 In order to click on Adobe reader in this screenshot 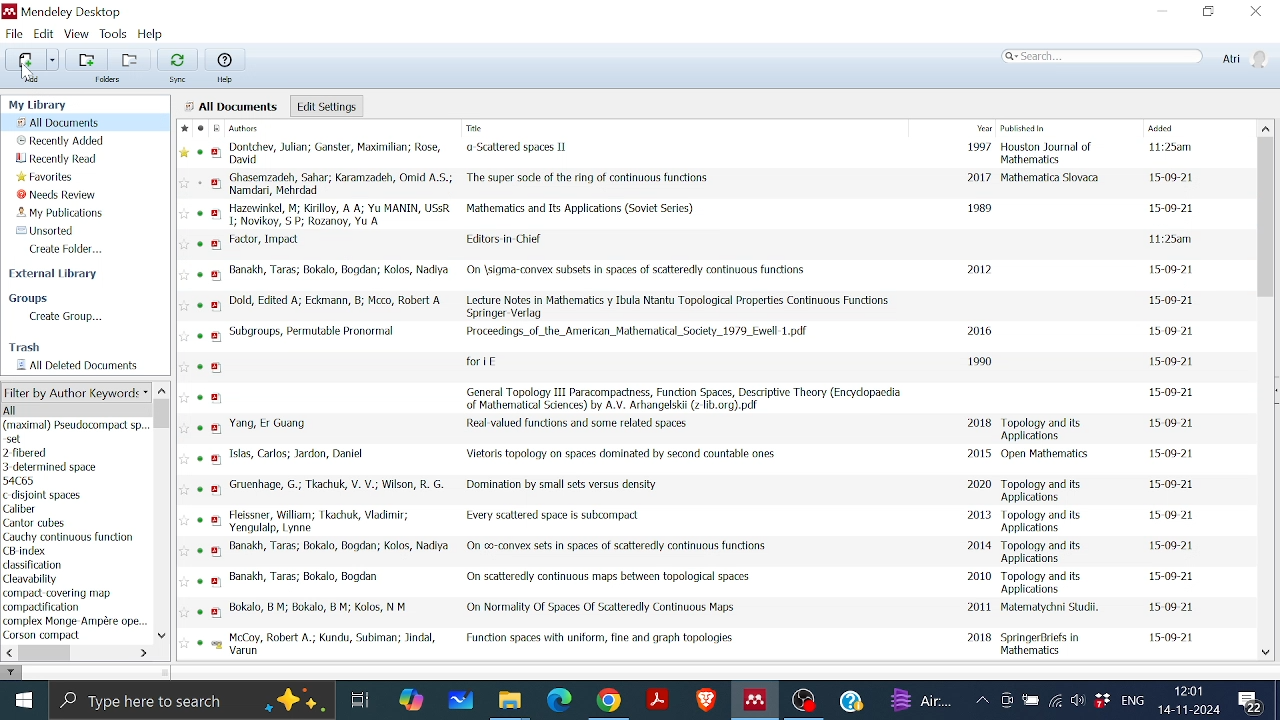, I will do `click(658, 699)`.